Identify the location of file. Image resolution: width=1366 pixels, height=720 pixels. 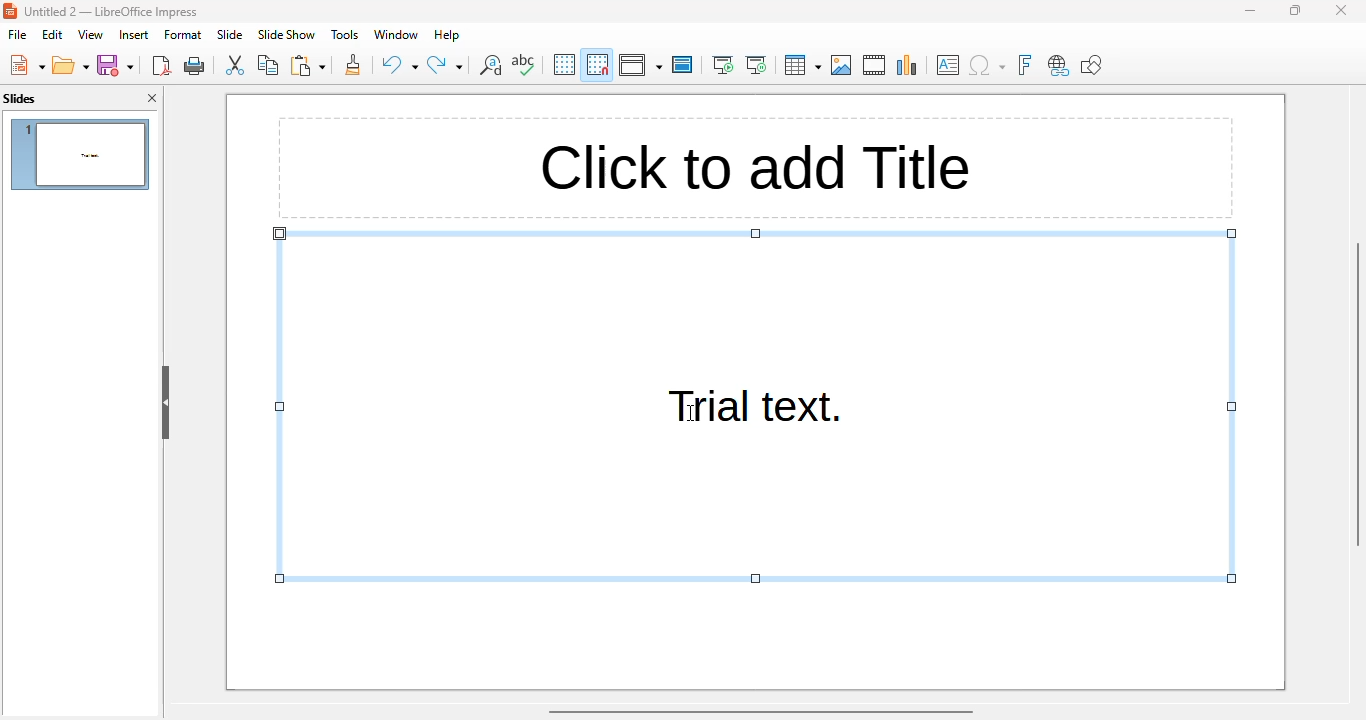
(17, 34).